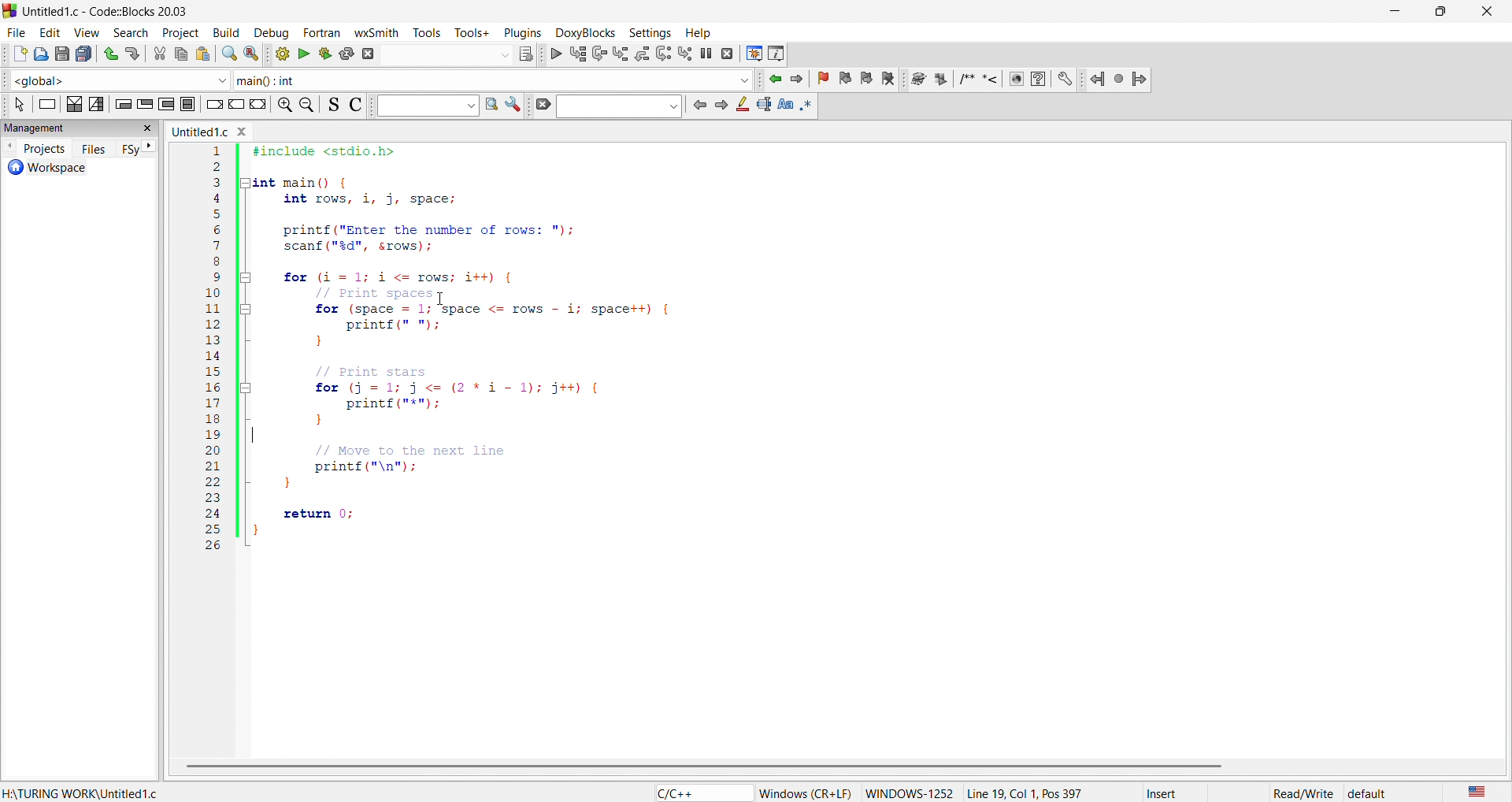 This screenshot has height=802, width=1512. I want to click on wxsmith, so click(380, 31).